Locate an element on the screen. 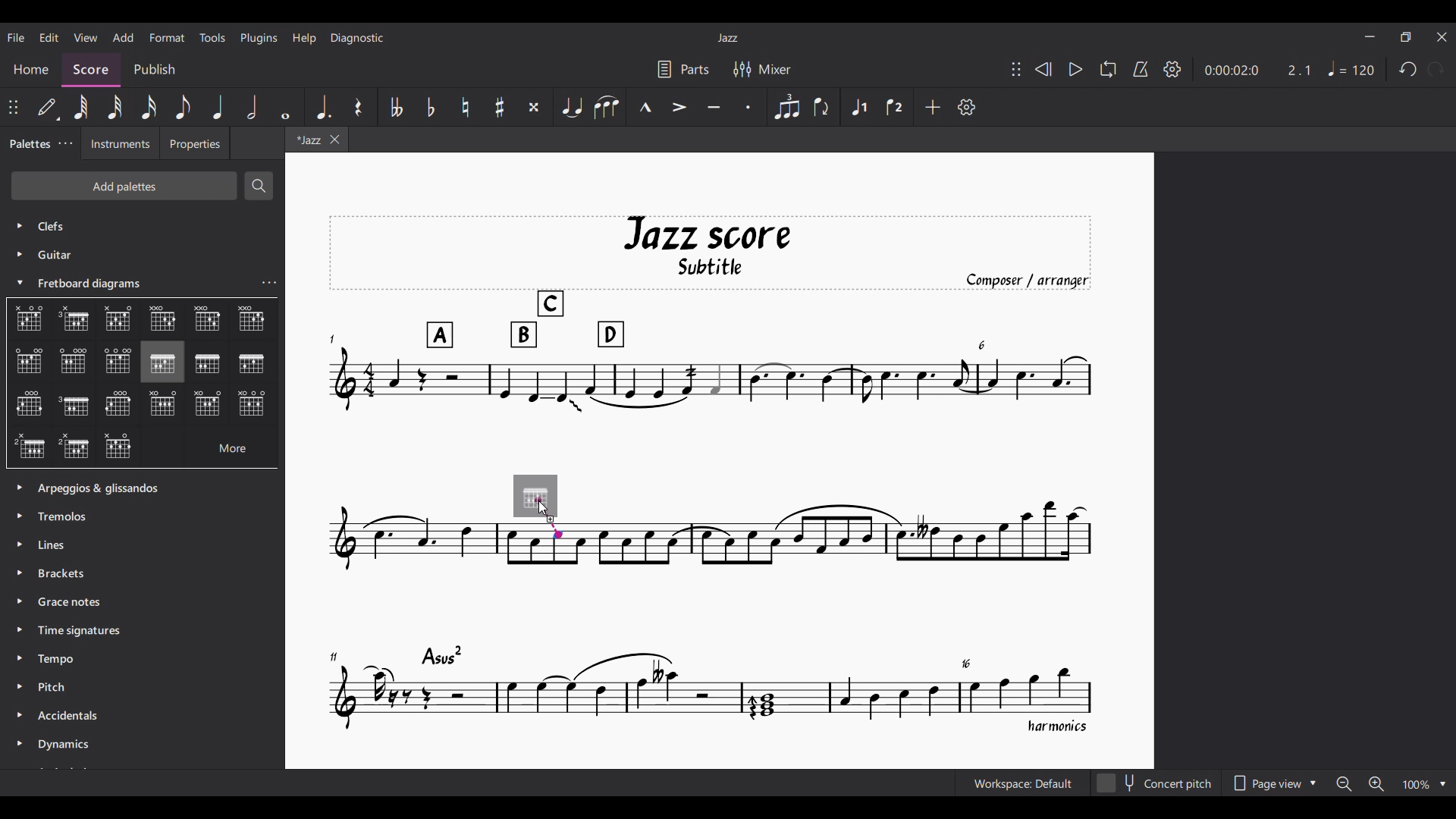 The width and height of the screenshot is (1456, 819). Change position is located at coordinates (1016, 69).